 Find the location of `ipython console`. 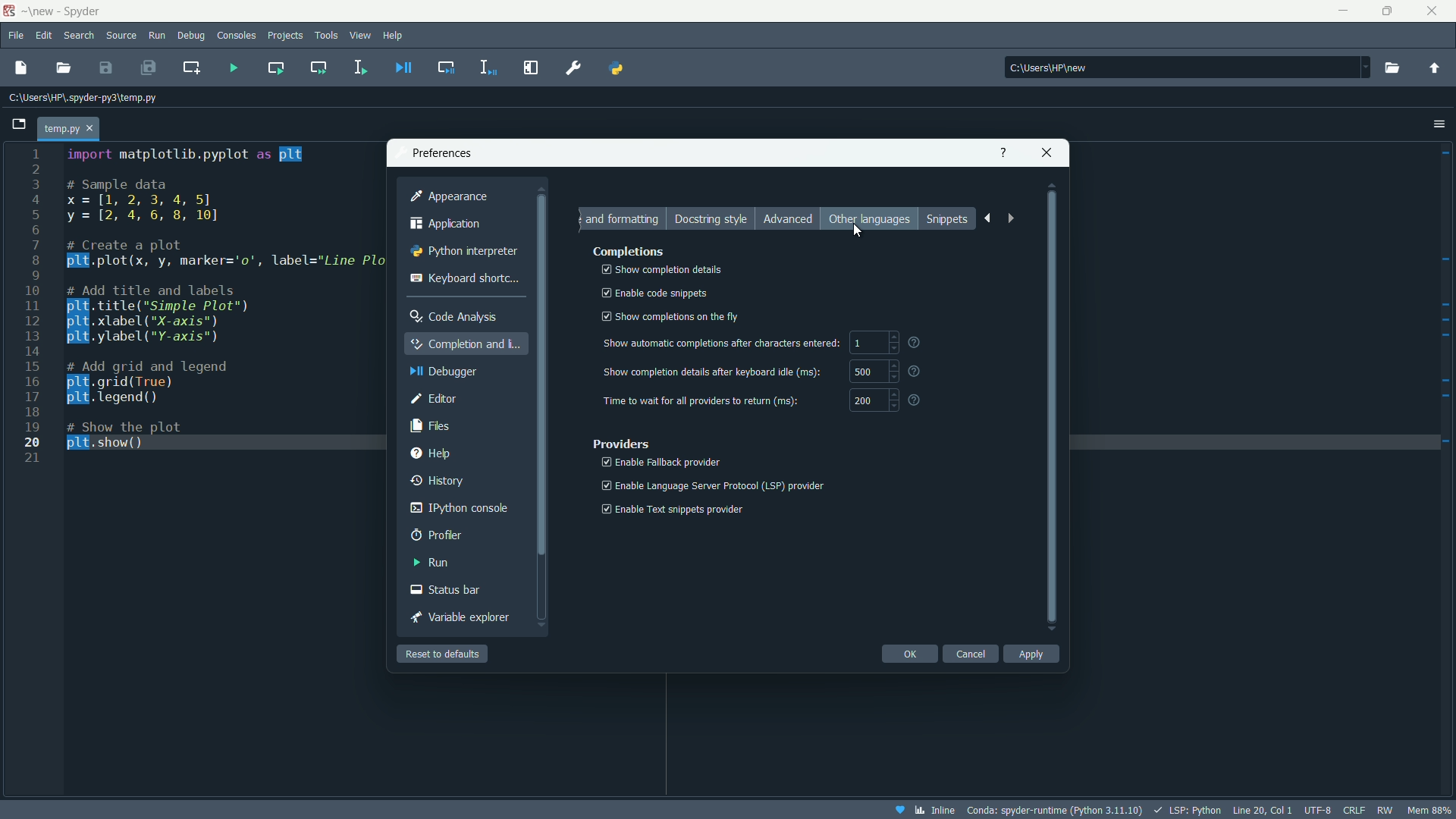

ipython console is located at coordinates (457, 508).